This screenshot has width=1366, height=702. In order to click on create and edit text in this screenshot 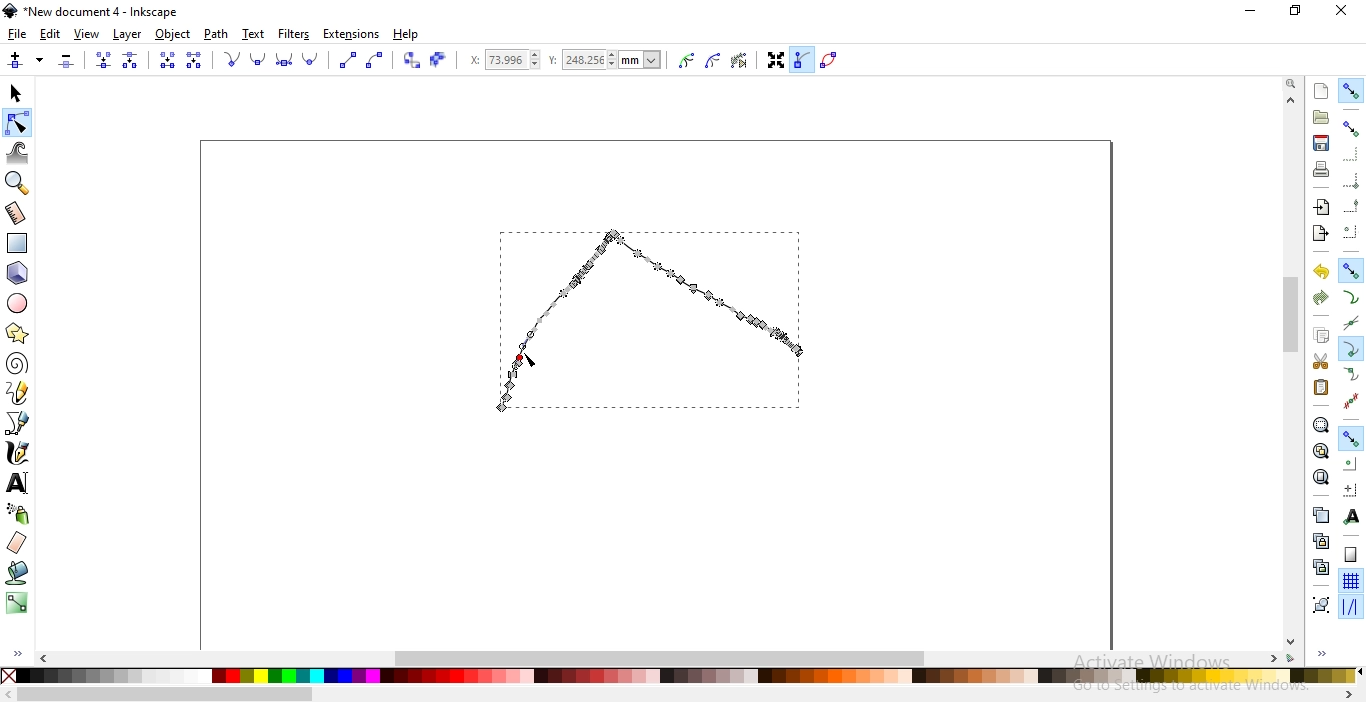, I will do `click(18, 484)`.